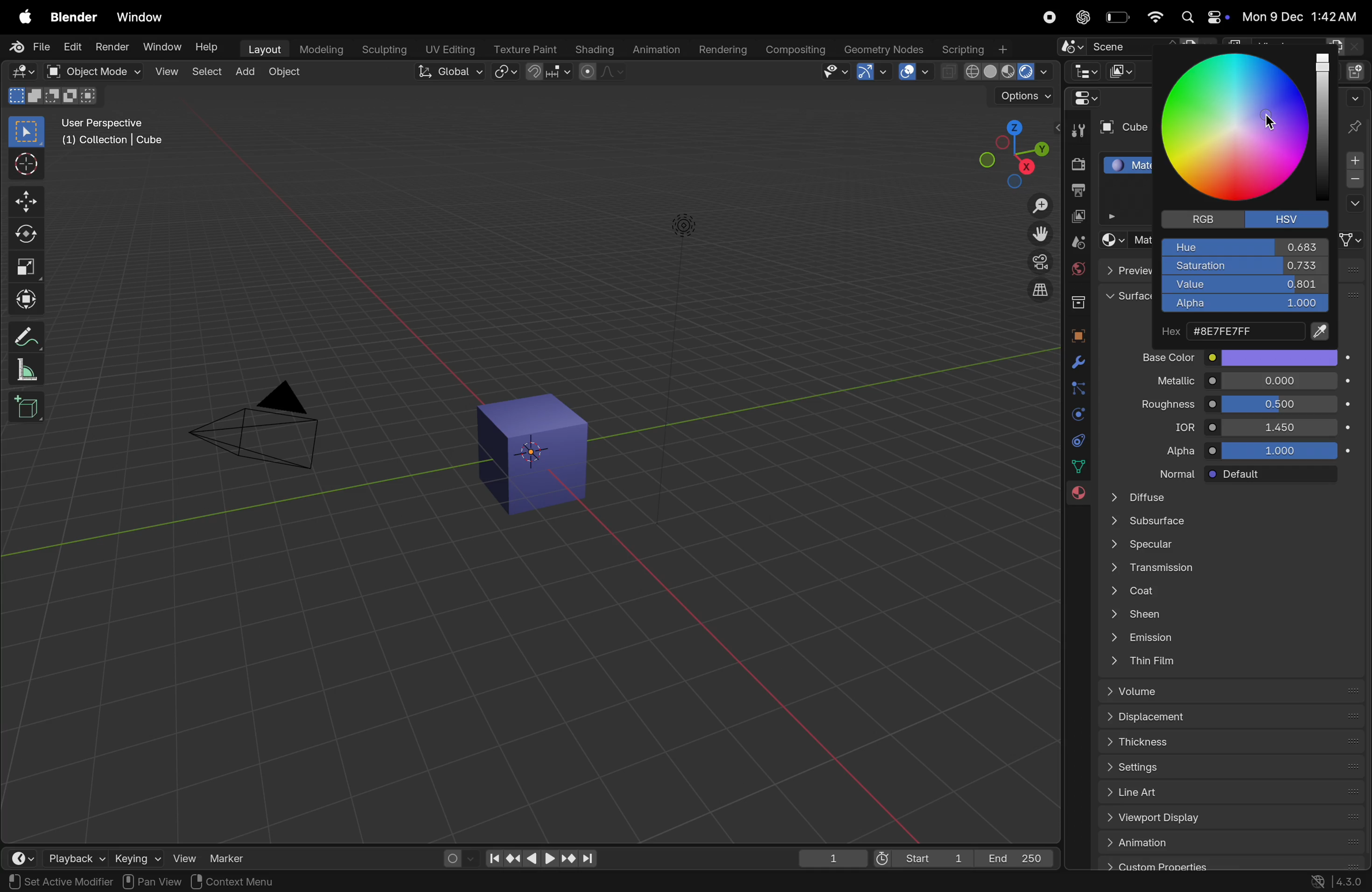 This screenshot has width=1372, height=892. What do you see at coordinates (541, 860) in the screenshot?
I see `play back controls` at bounding box center [541, 860].